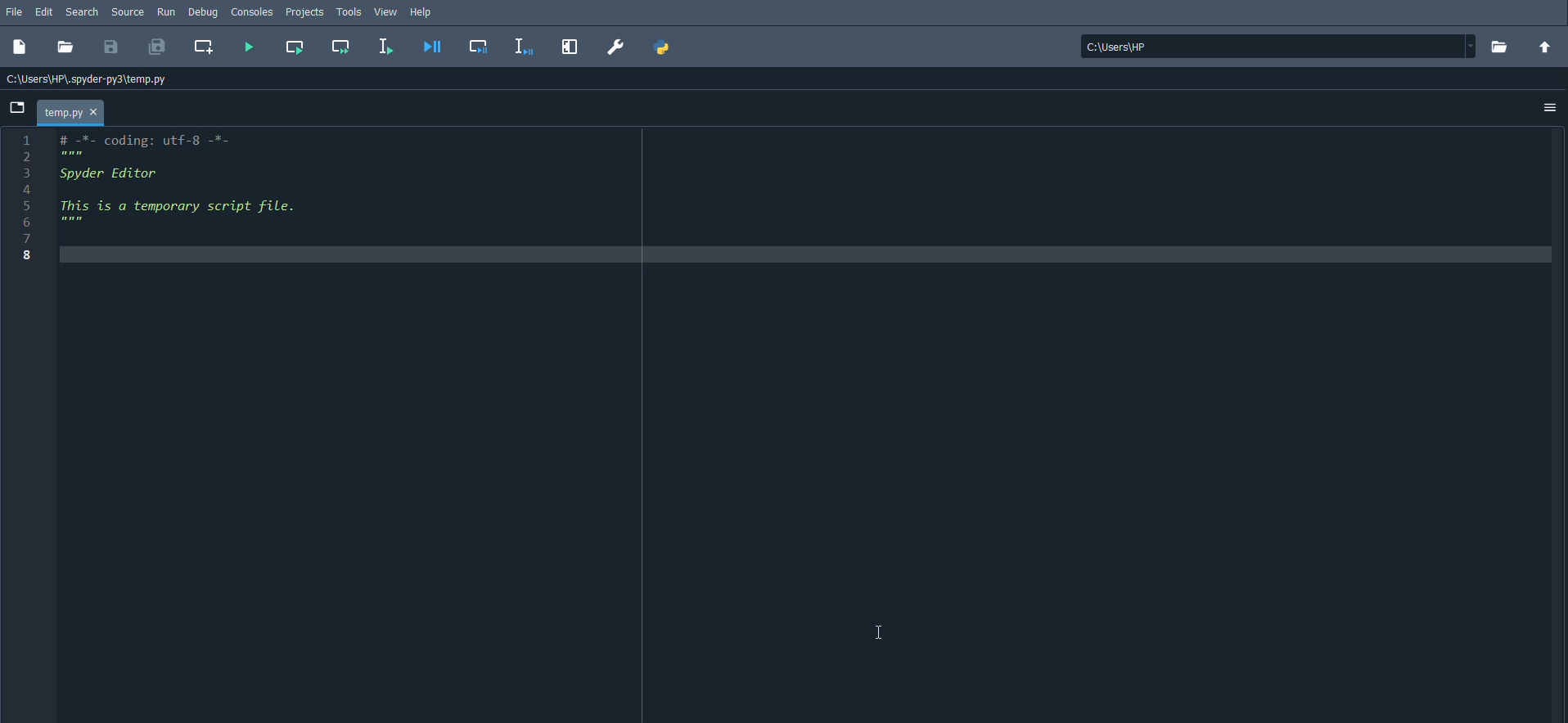 This screenshot has height=723, width=1568. Describe the element at coordinates (21, 50) in the screenshot. I see `New file` at that location.